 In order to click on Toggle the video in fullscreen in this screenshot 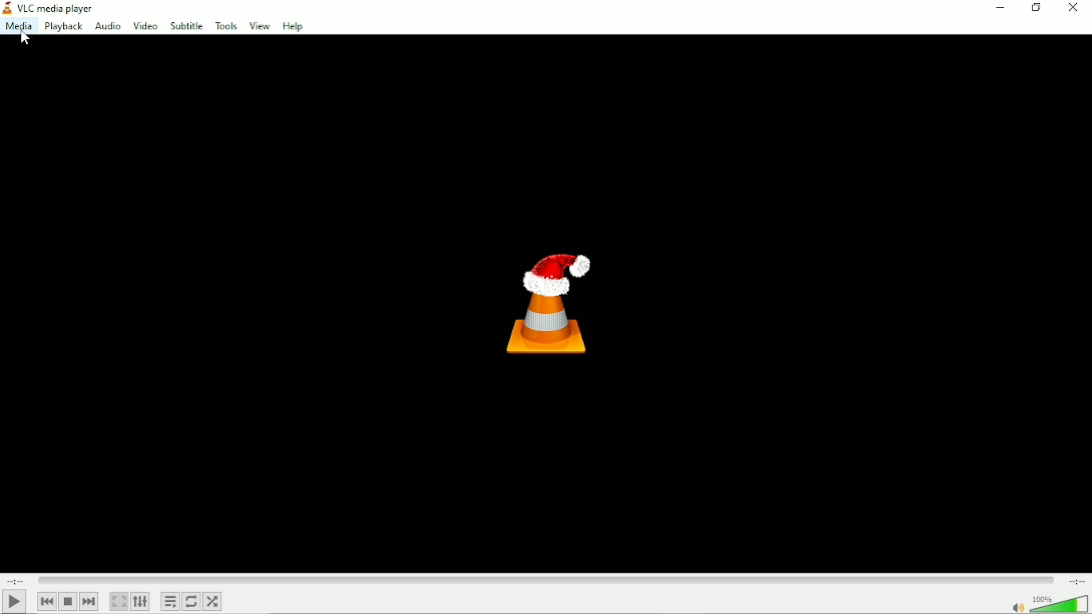, I will do `click(118, 601)`.